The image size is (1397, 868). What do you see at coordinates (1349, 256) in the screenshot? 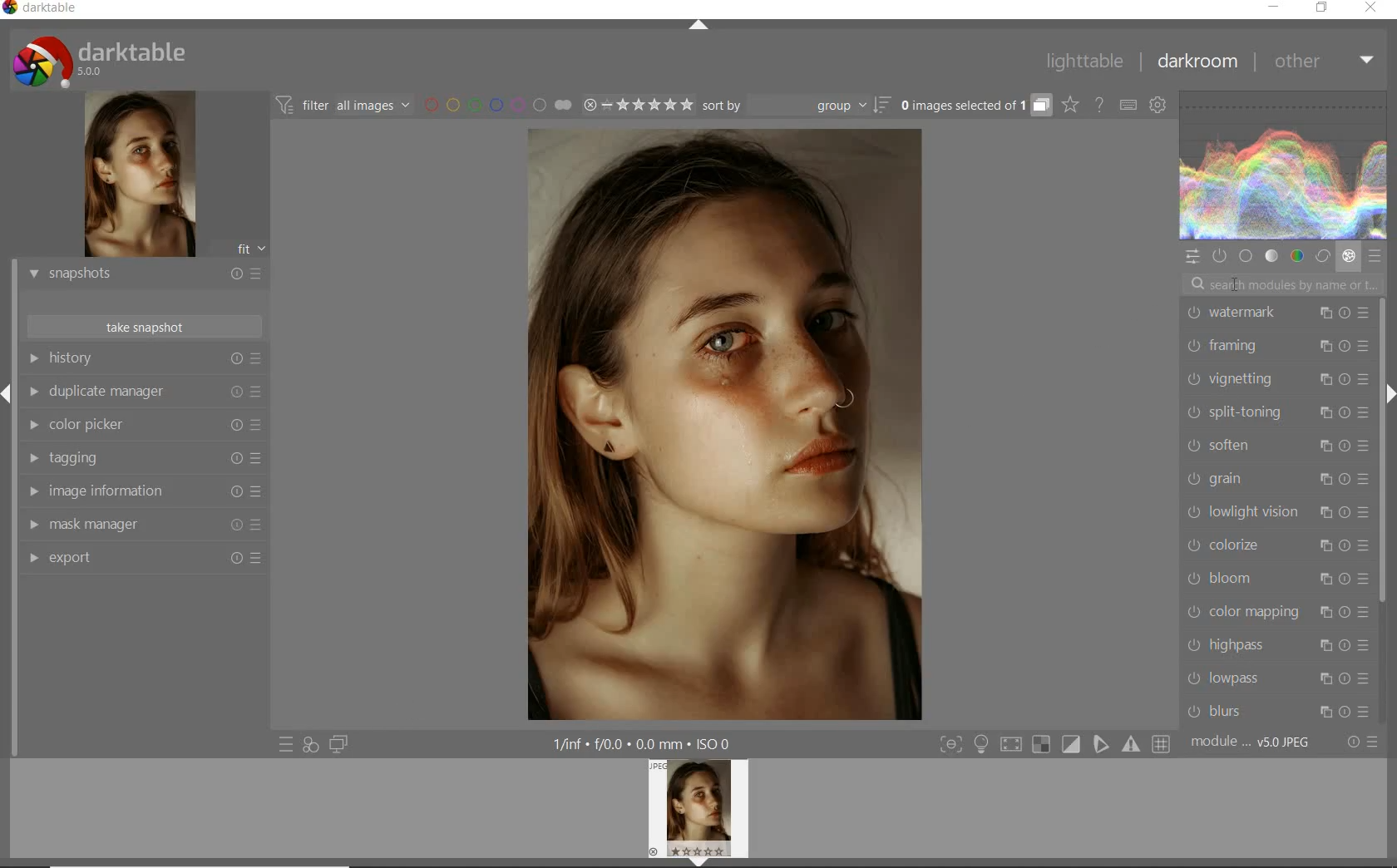
I see `effect` at bounding box center [1349, 256].